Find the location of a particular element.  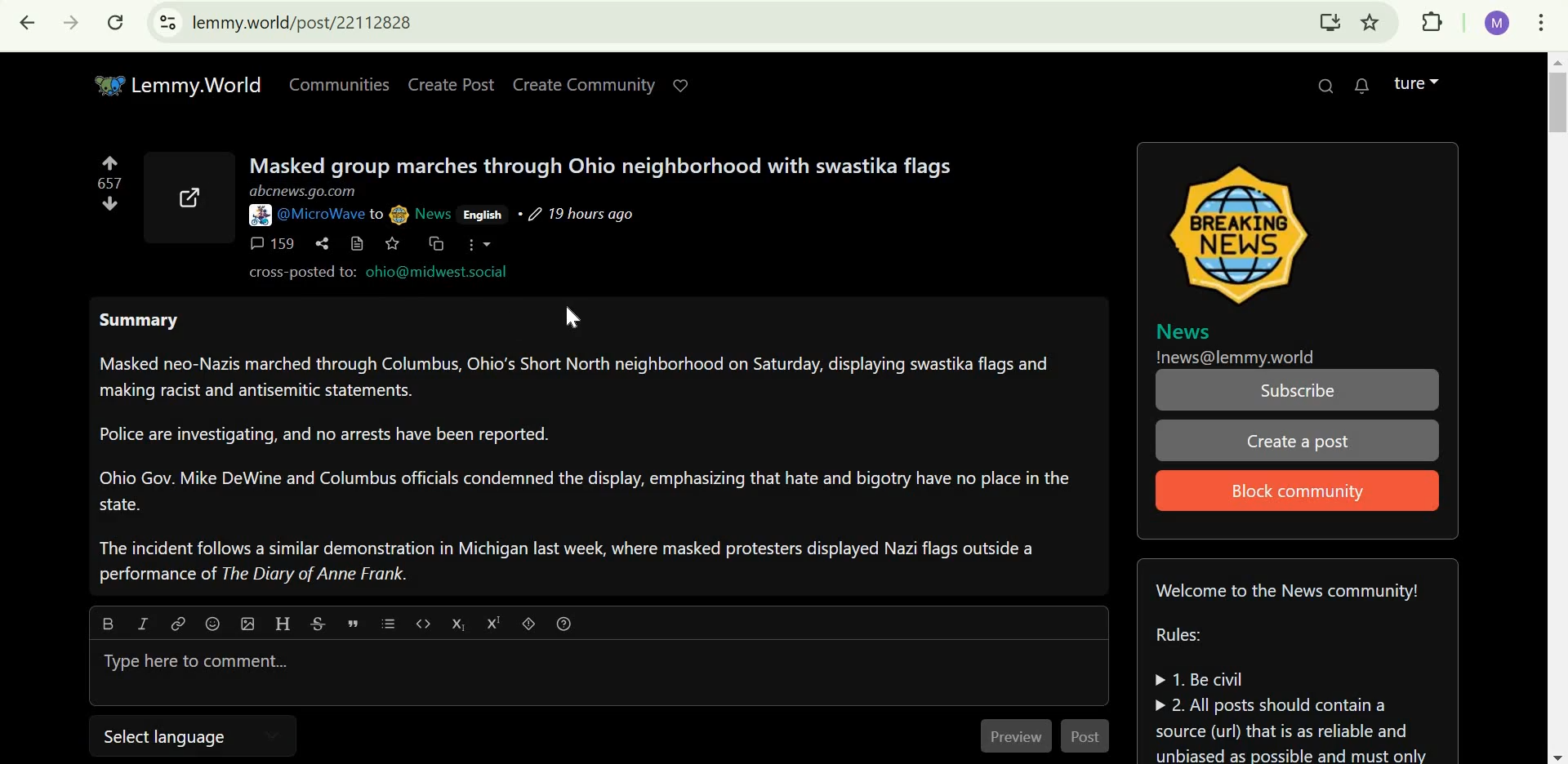

Block community is located at coordinates (1294, 491).